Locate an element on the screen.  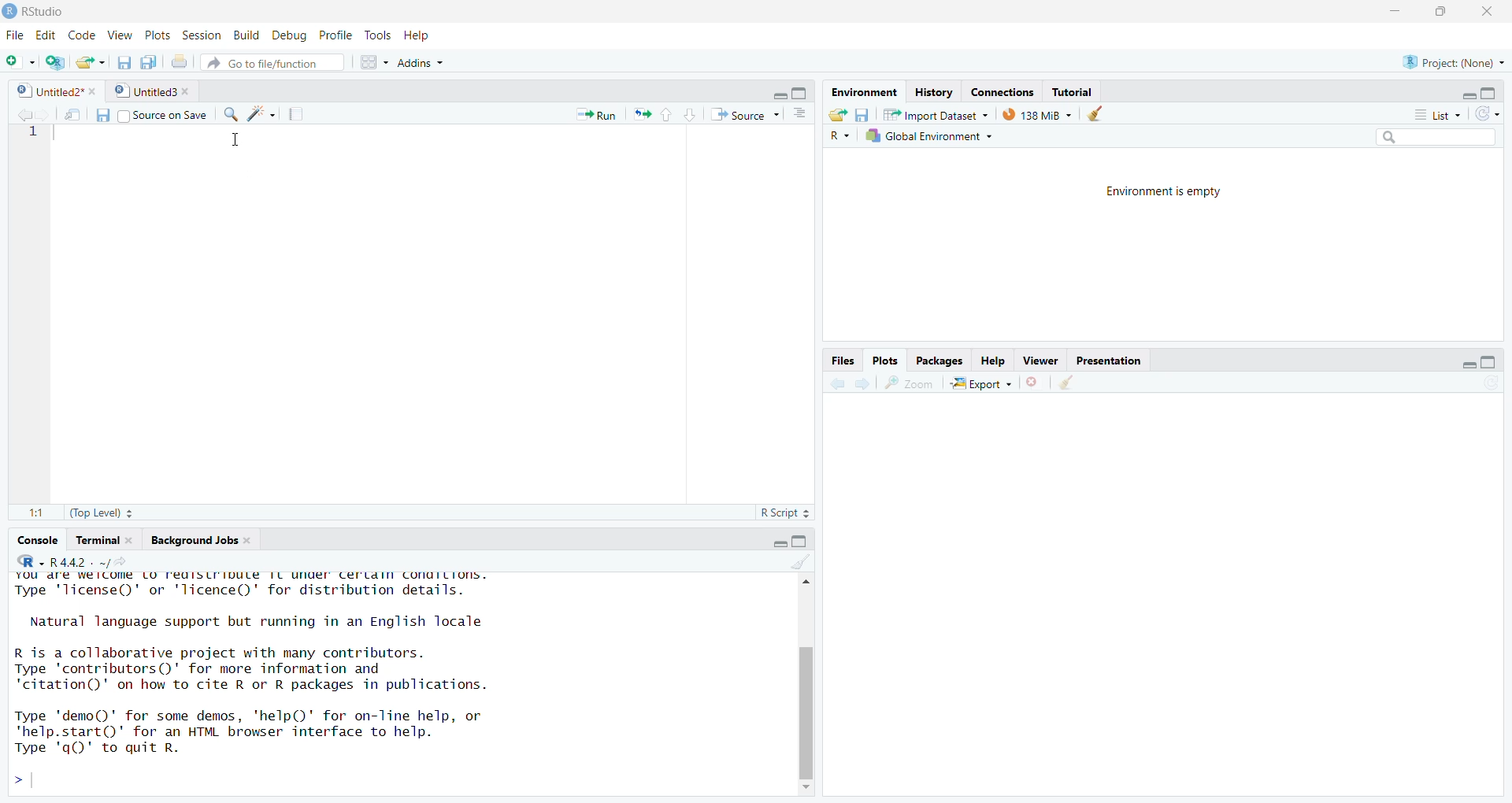
# Global Environment + is located at coordinates (928, 134).